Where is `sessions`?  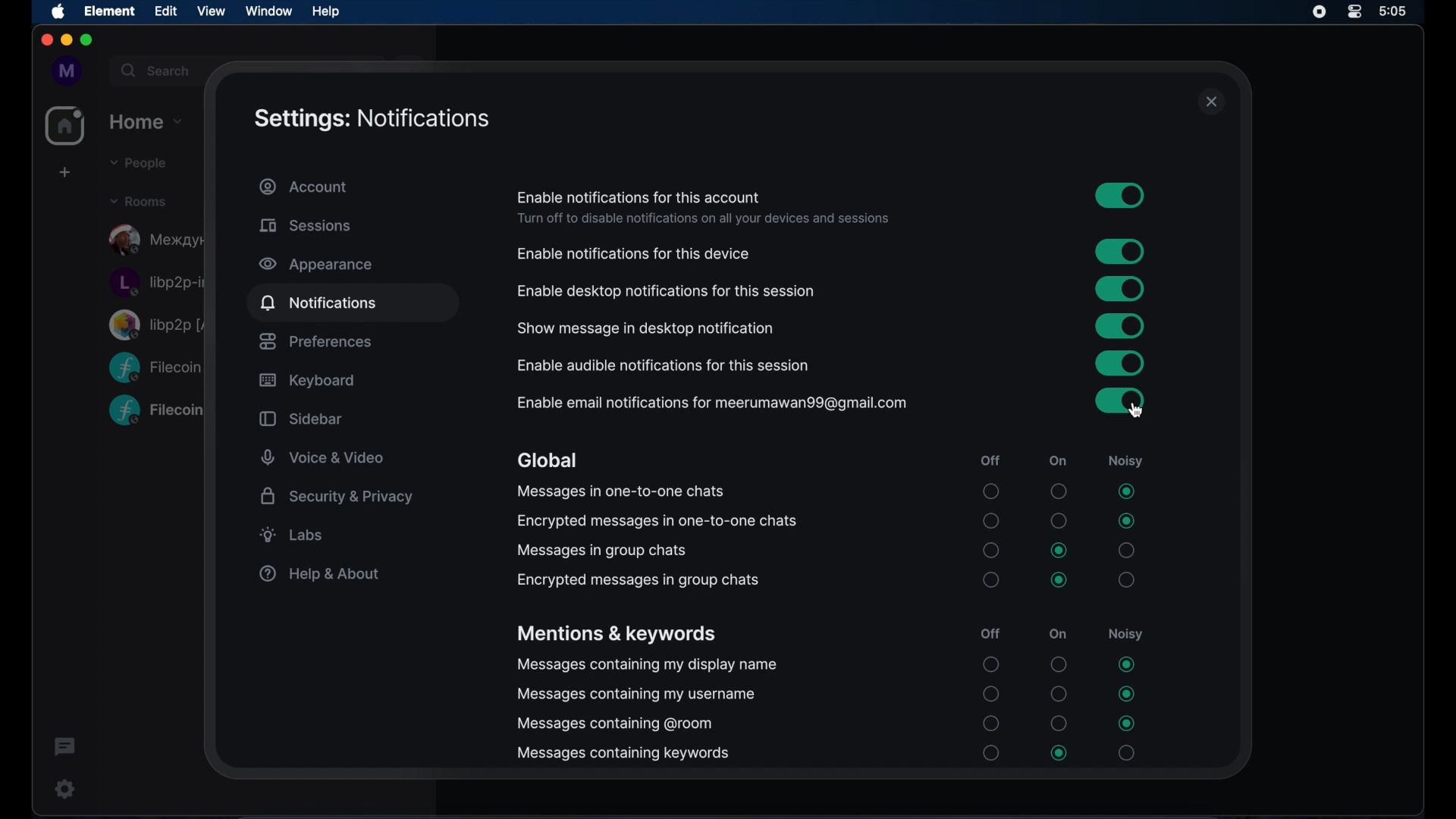
sessions is located at coordinates (305, 225).